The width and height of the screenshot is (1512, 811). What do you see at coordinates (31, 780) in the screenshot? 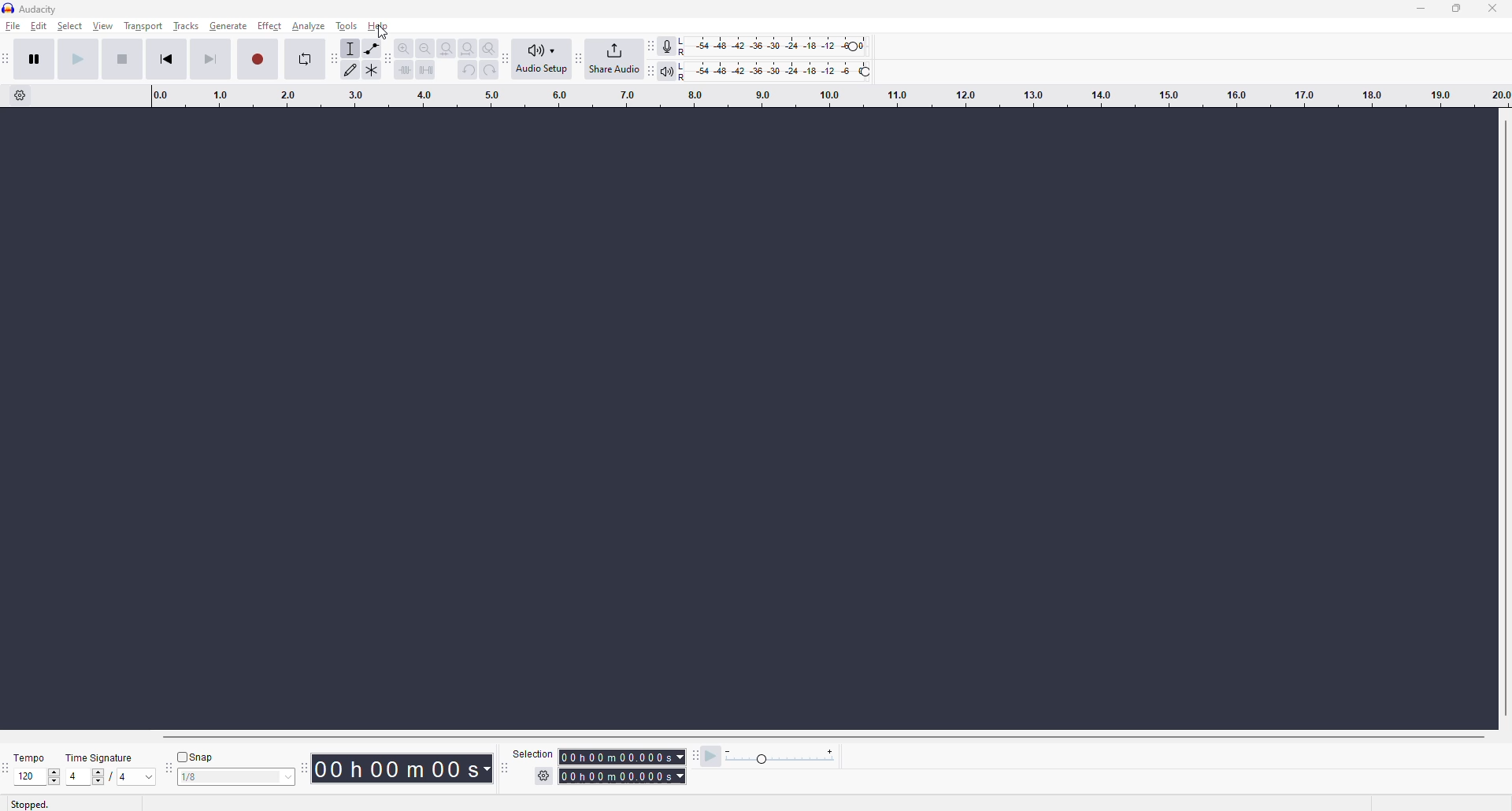
I see `value` at bounding box center [31, 780].